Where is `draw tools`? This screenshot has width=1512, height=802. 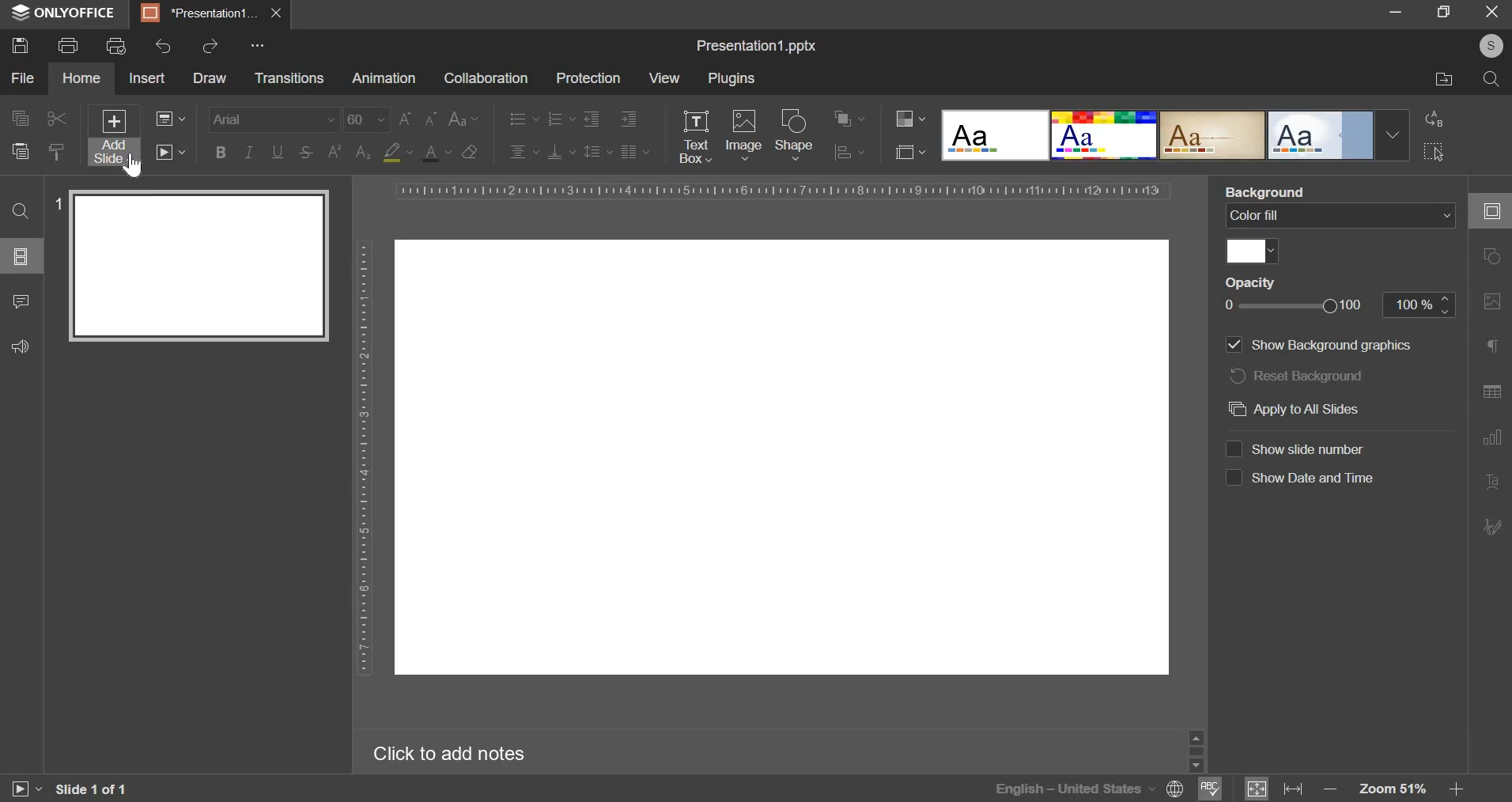 draw tools is located at coordinates (1497, 522).